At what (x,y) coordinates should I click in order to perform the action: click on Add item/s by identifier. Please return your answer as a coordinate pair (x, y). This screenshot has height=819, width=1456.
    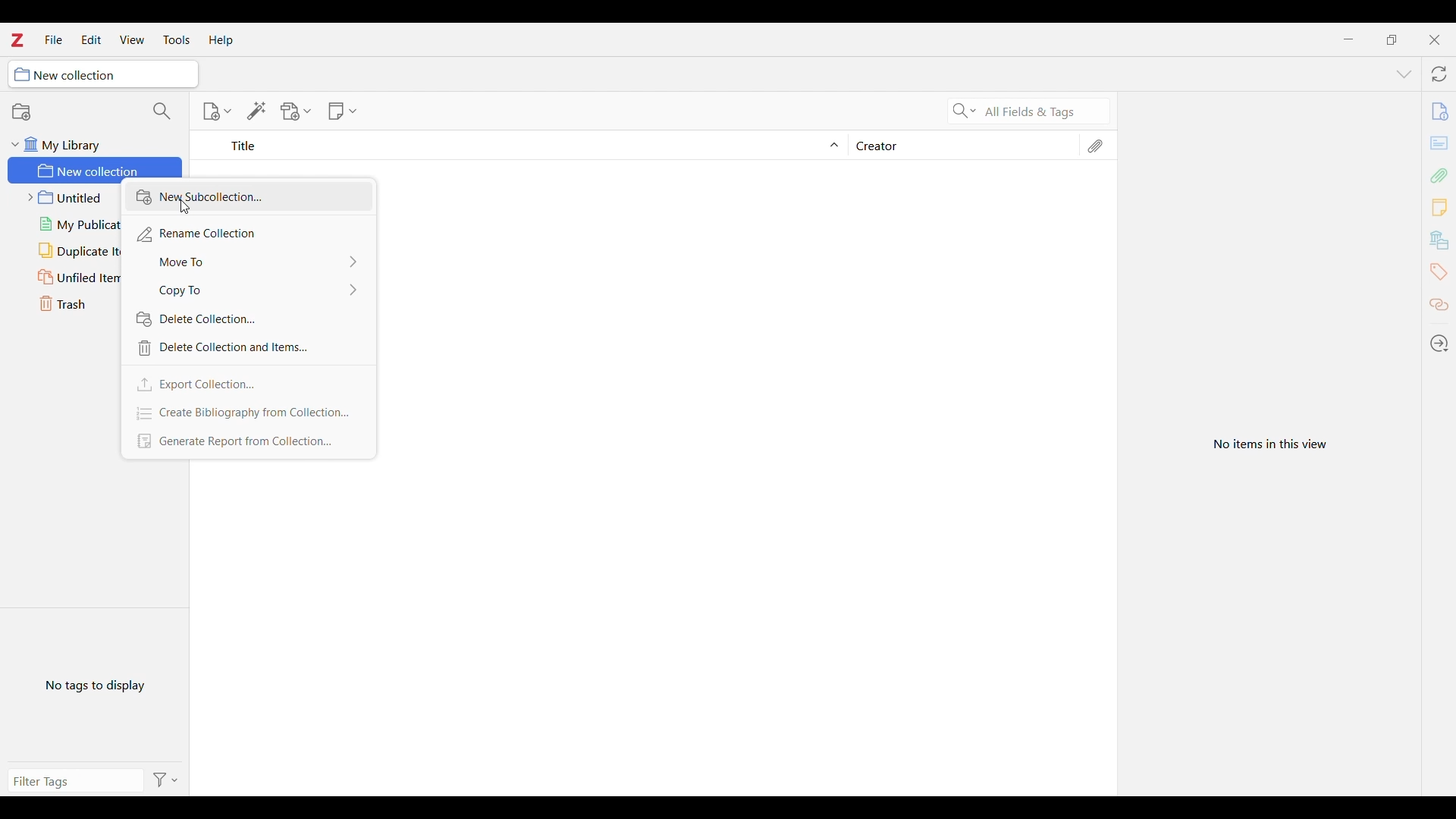
    Looking at the image, I should click on (257, 111).